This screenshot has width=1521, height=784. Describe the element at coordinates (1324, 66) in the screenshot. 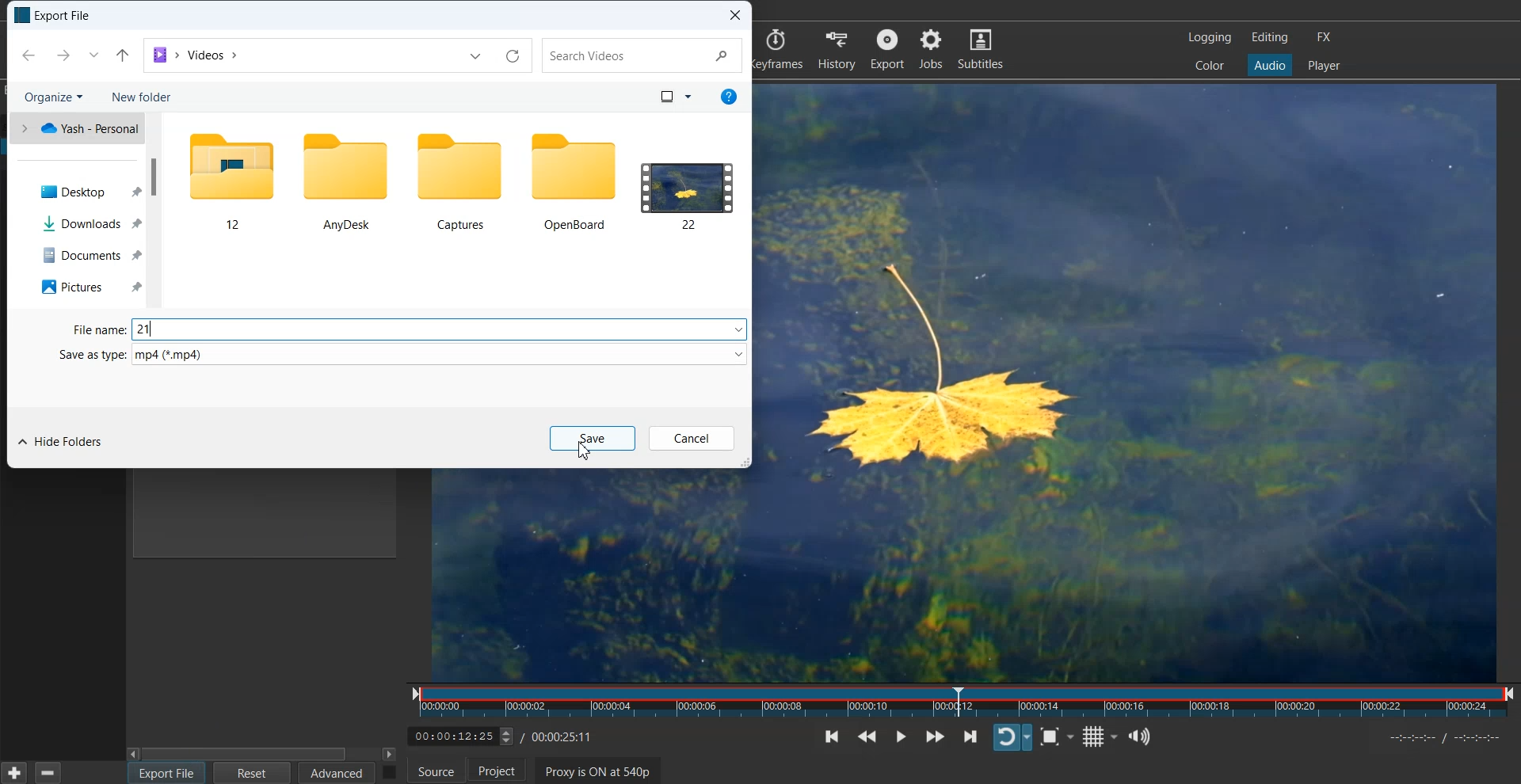

I see `Player` at that location.